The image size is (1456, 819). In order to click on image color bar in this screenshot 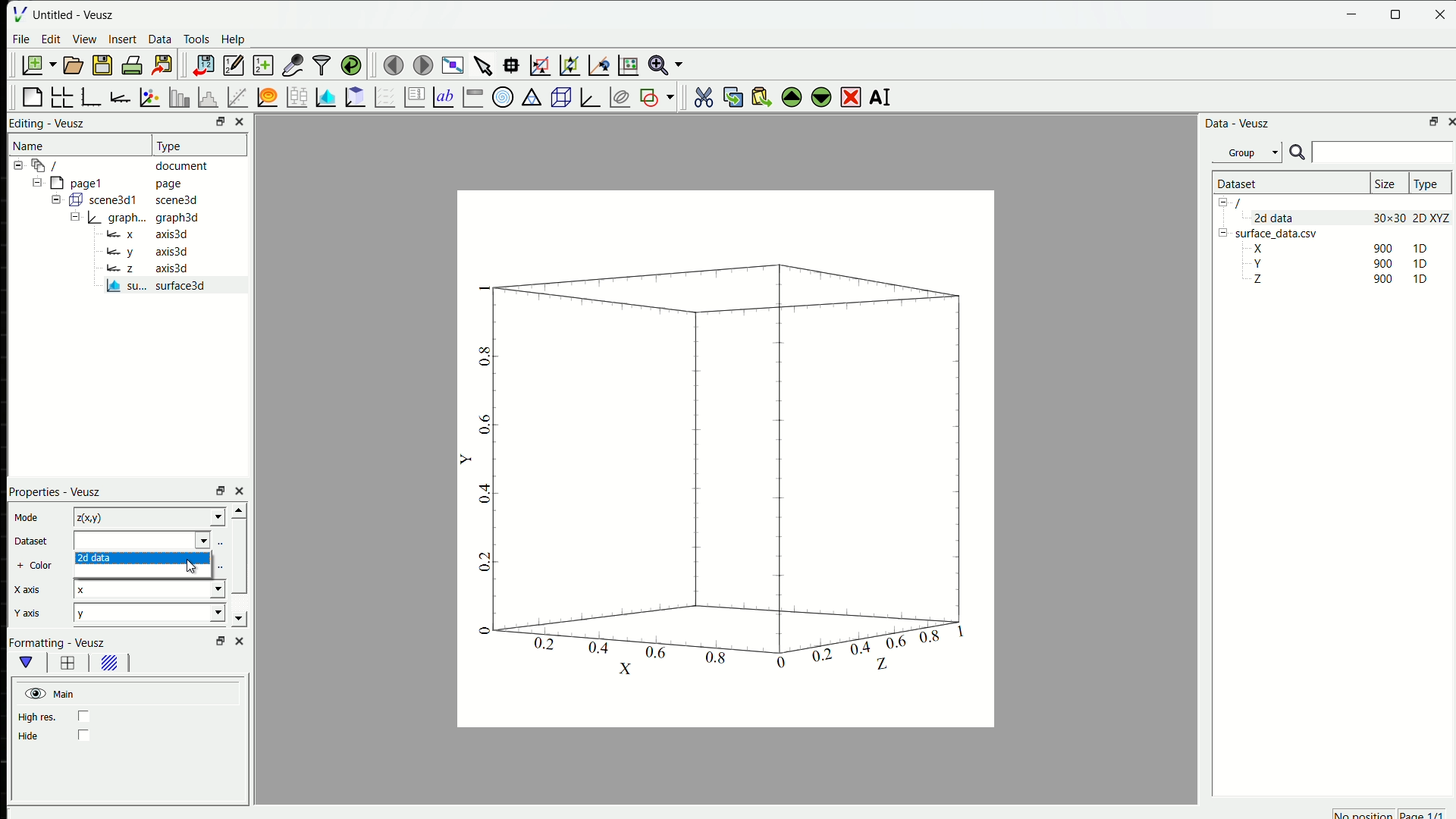, I will do `click(475, 97)`.